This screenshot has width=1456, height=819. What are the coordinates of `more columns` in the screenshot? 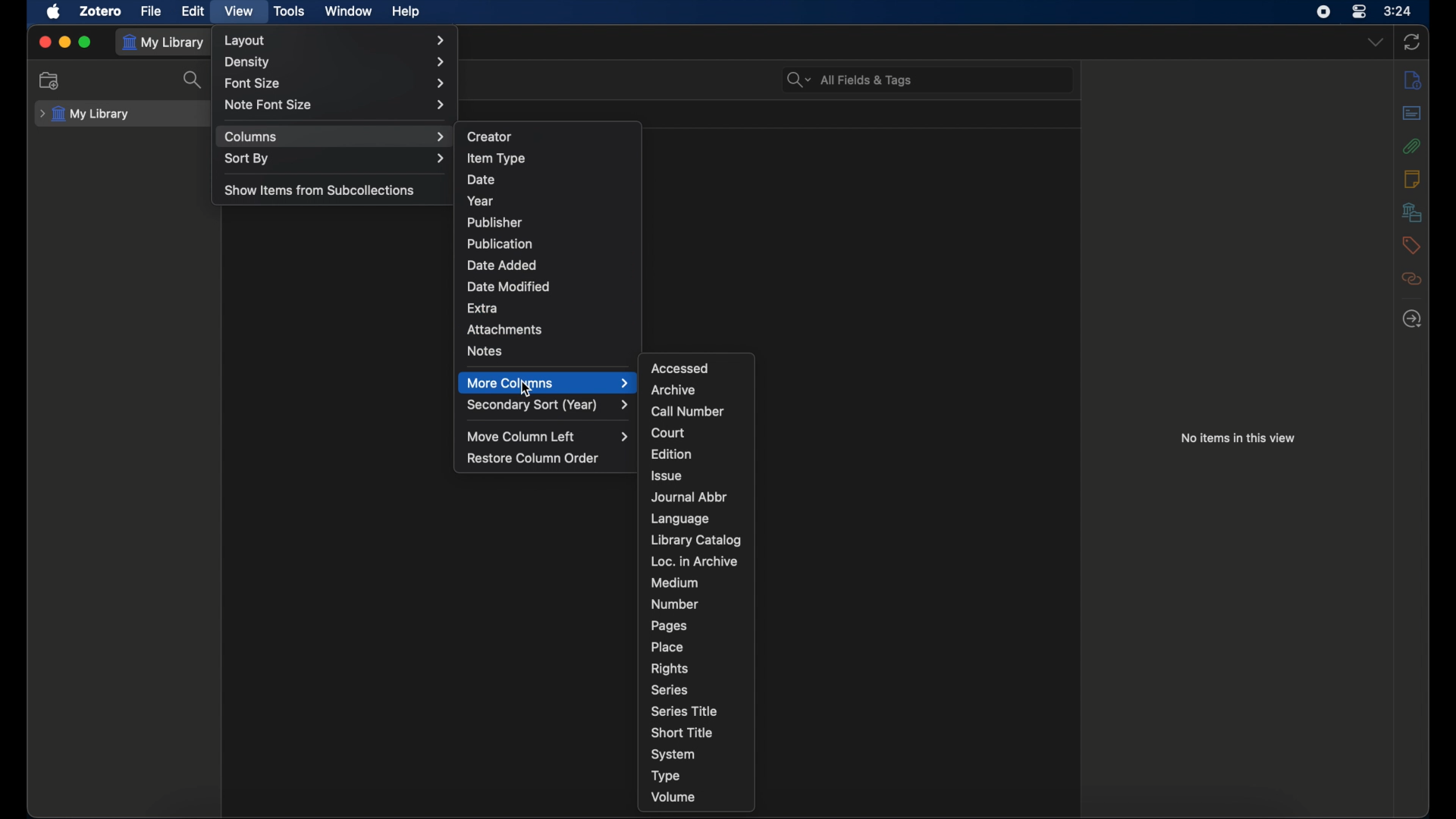 It's located at (548, 383).